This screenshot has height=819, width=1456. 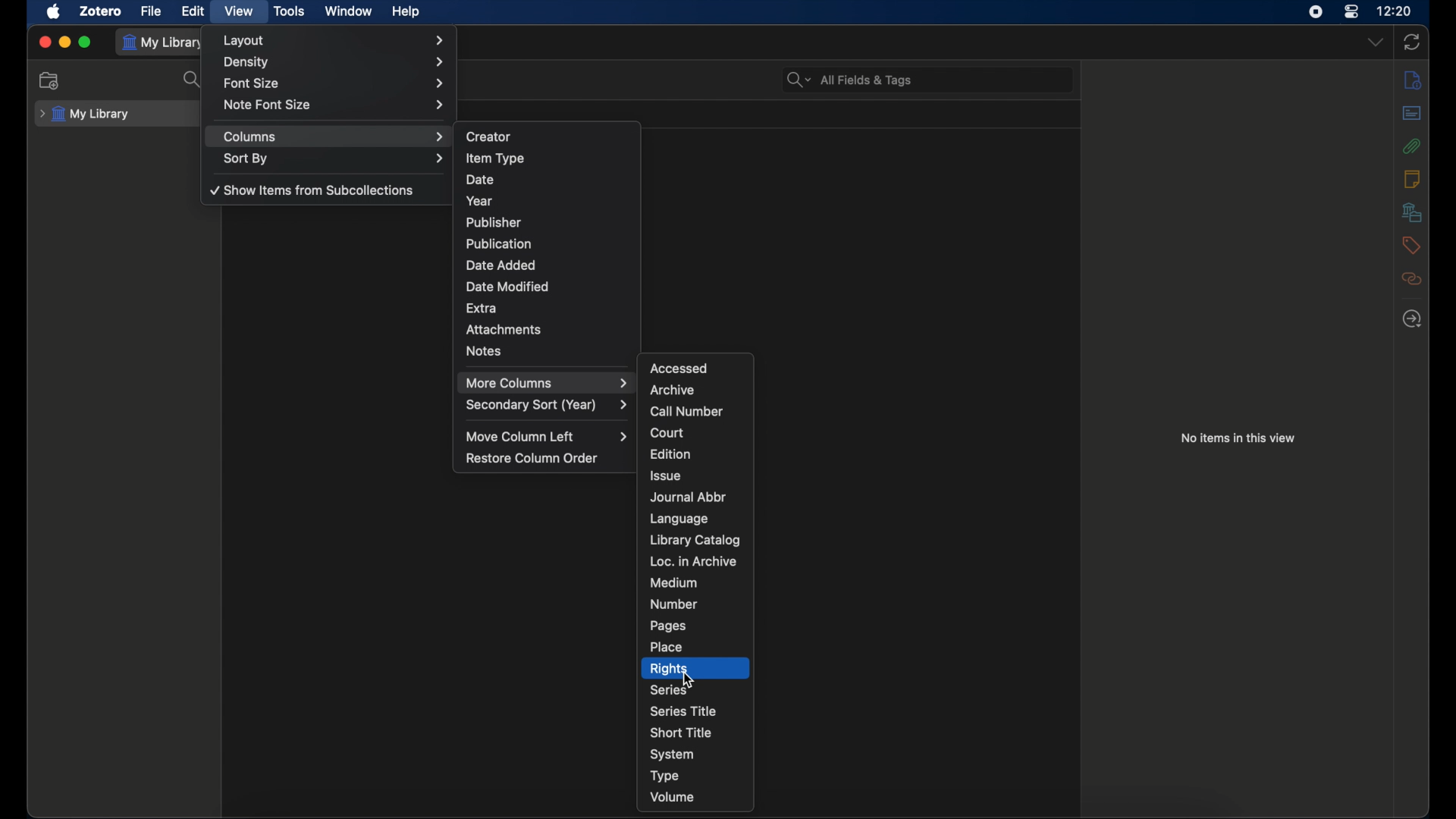 I want to click on extra, so click(x=482, y=307).